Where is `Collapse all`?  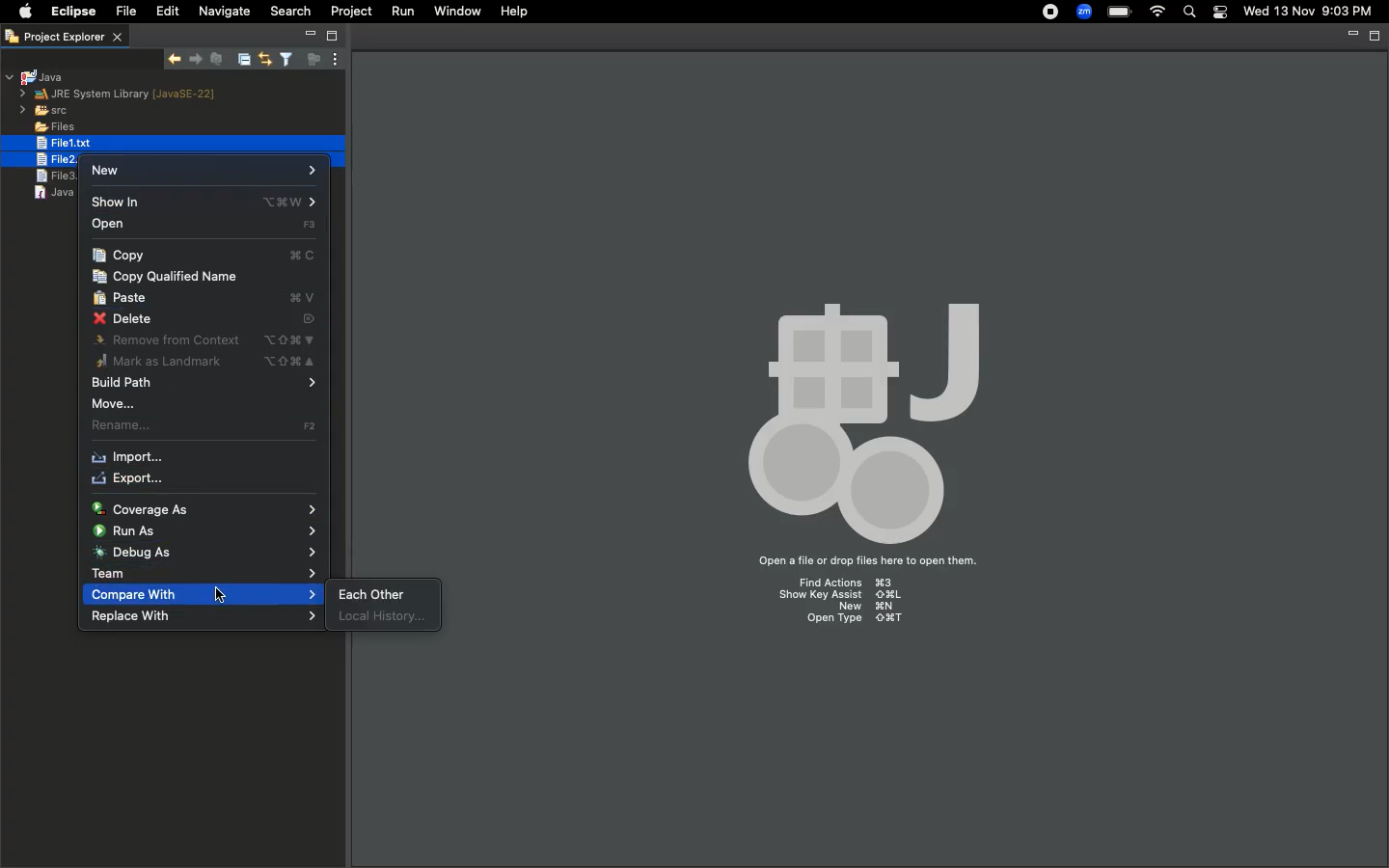 Collapse all is located at coordinates (241, 61).